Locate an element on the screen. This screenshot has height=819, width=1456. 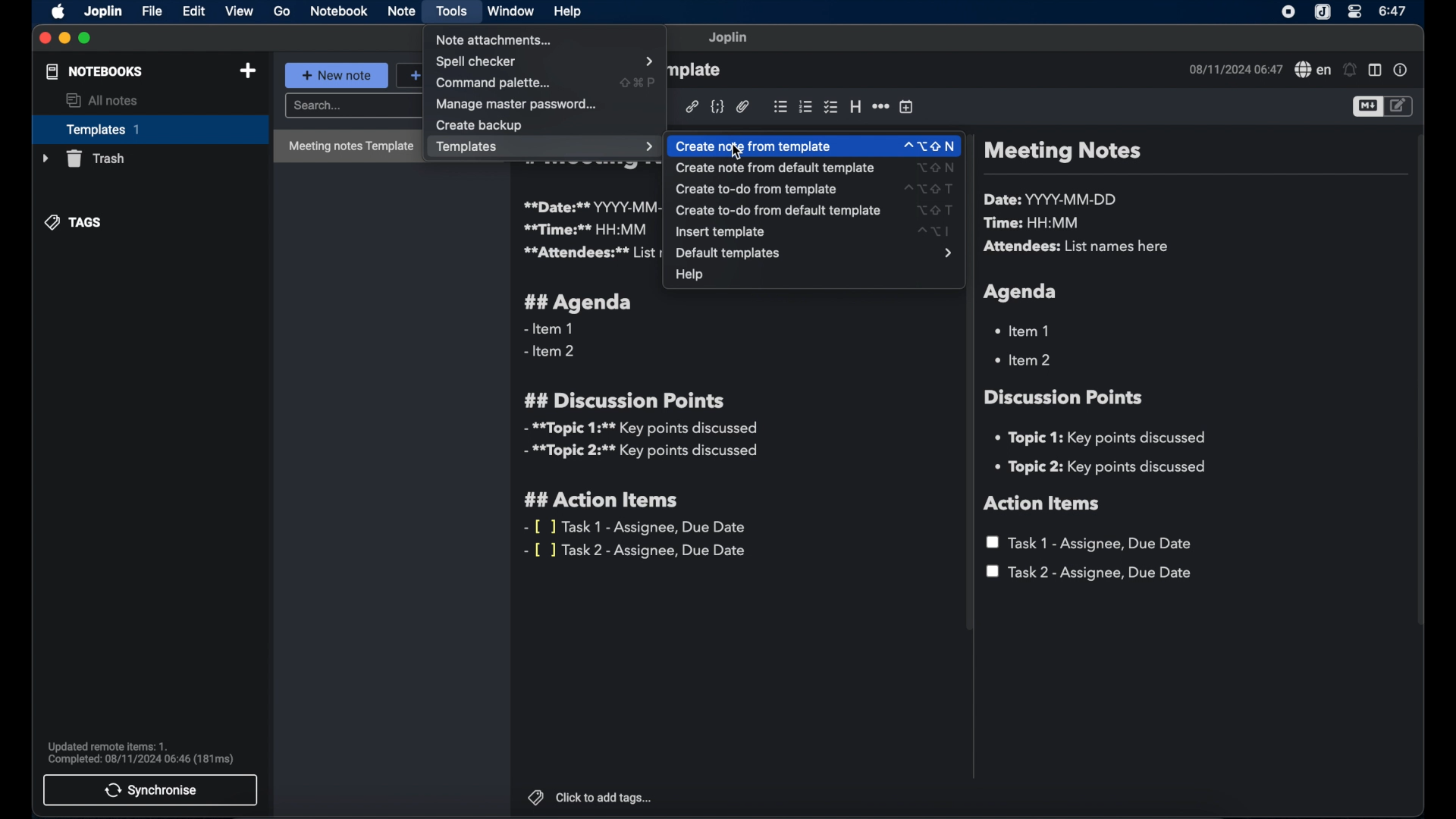
## action items is located at coordinates (605, 500).